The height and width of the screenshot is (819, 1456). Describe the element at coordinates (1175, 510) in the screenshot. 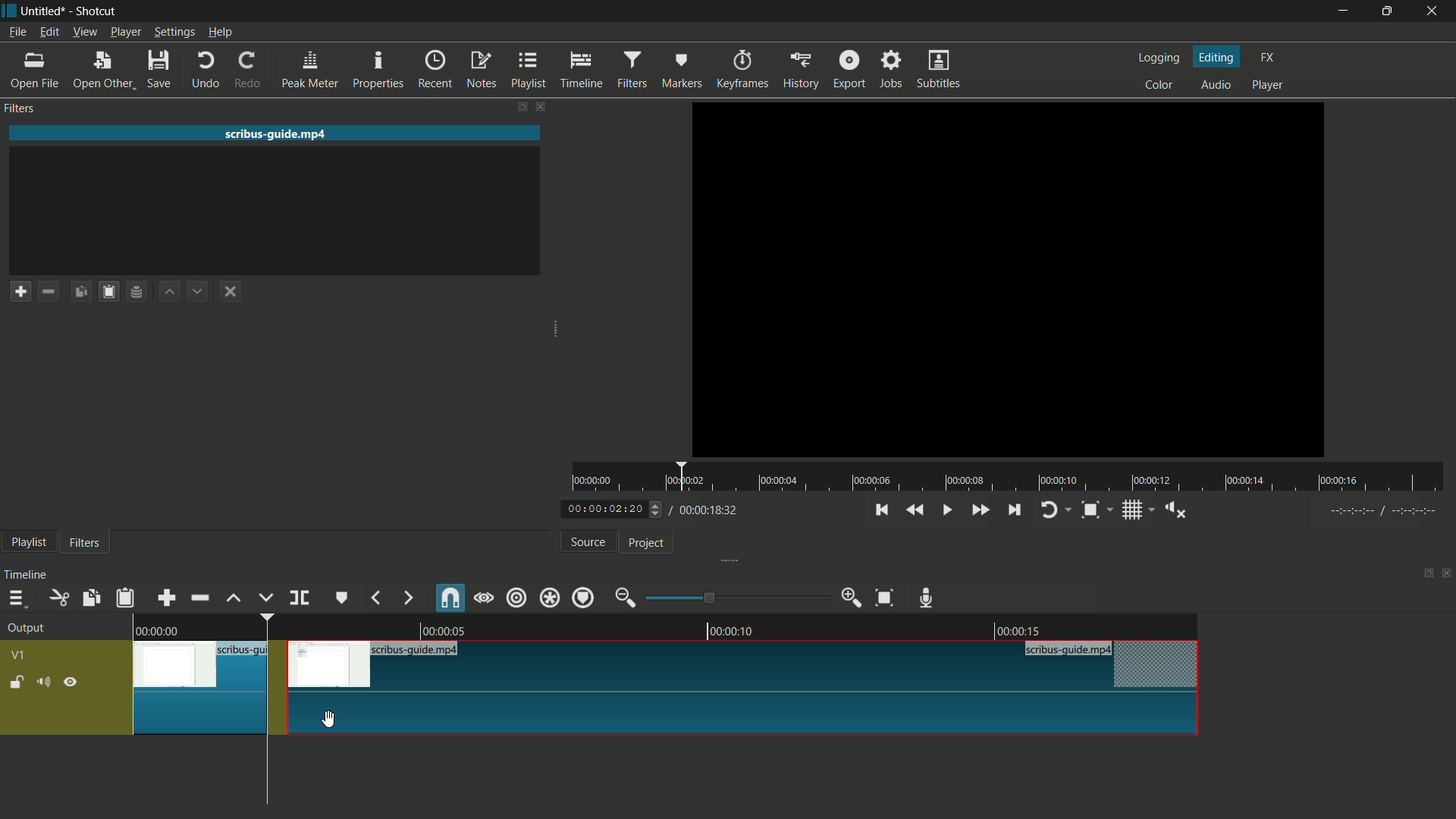

I see `show volume control` at that location.